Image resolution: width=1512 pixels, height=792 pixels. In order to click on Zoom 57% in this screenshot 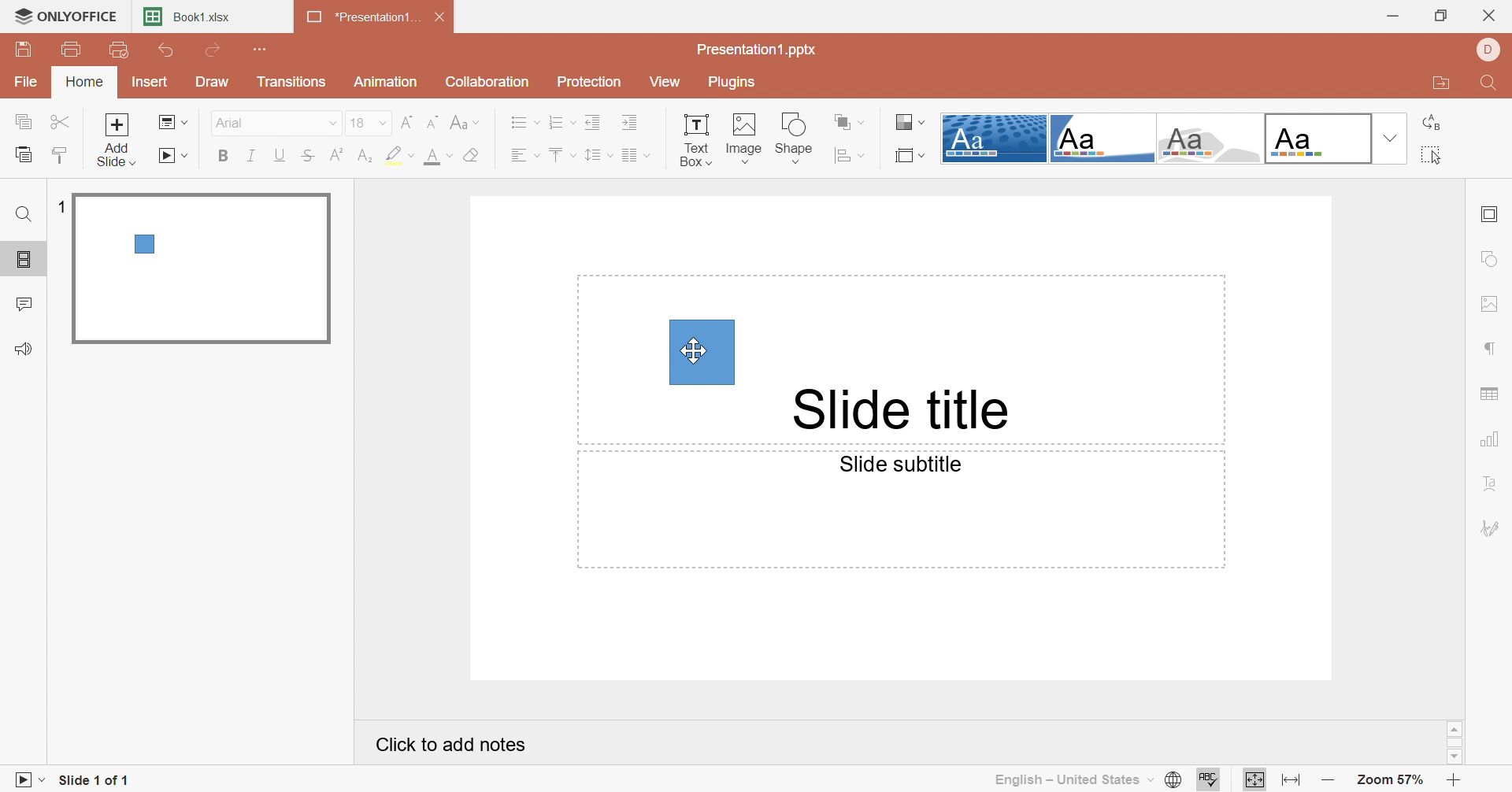, I will do `click(1395, 778)`.